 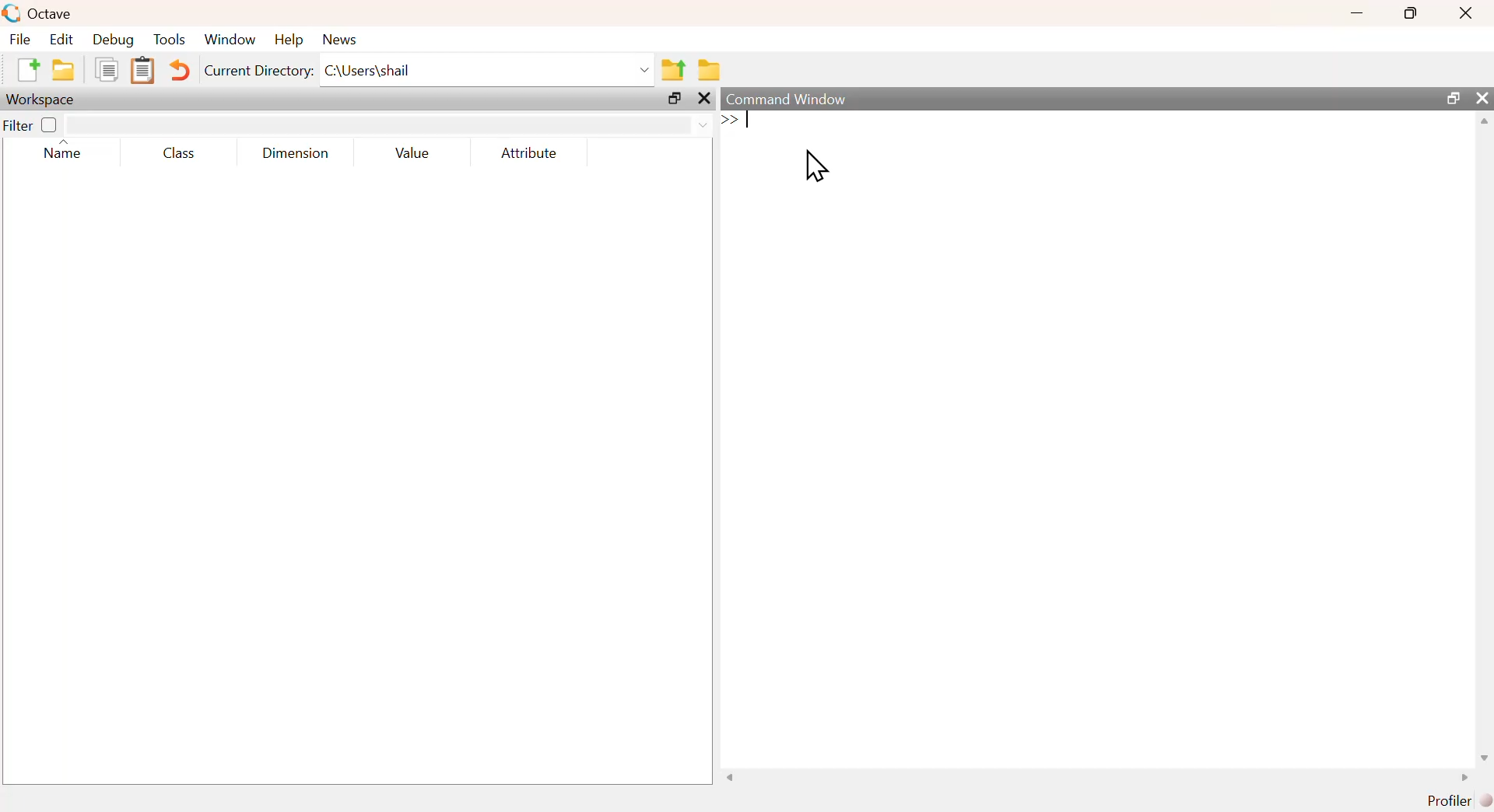 What do you see at coordinates (1355, 14) in the screenshot?
I see `minimize` at bounding box center [1355, 14].